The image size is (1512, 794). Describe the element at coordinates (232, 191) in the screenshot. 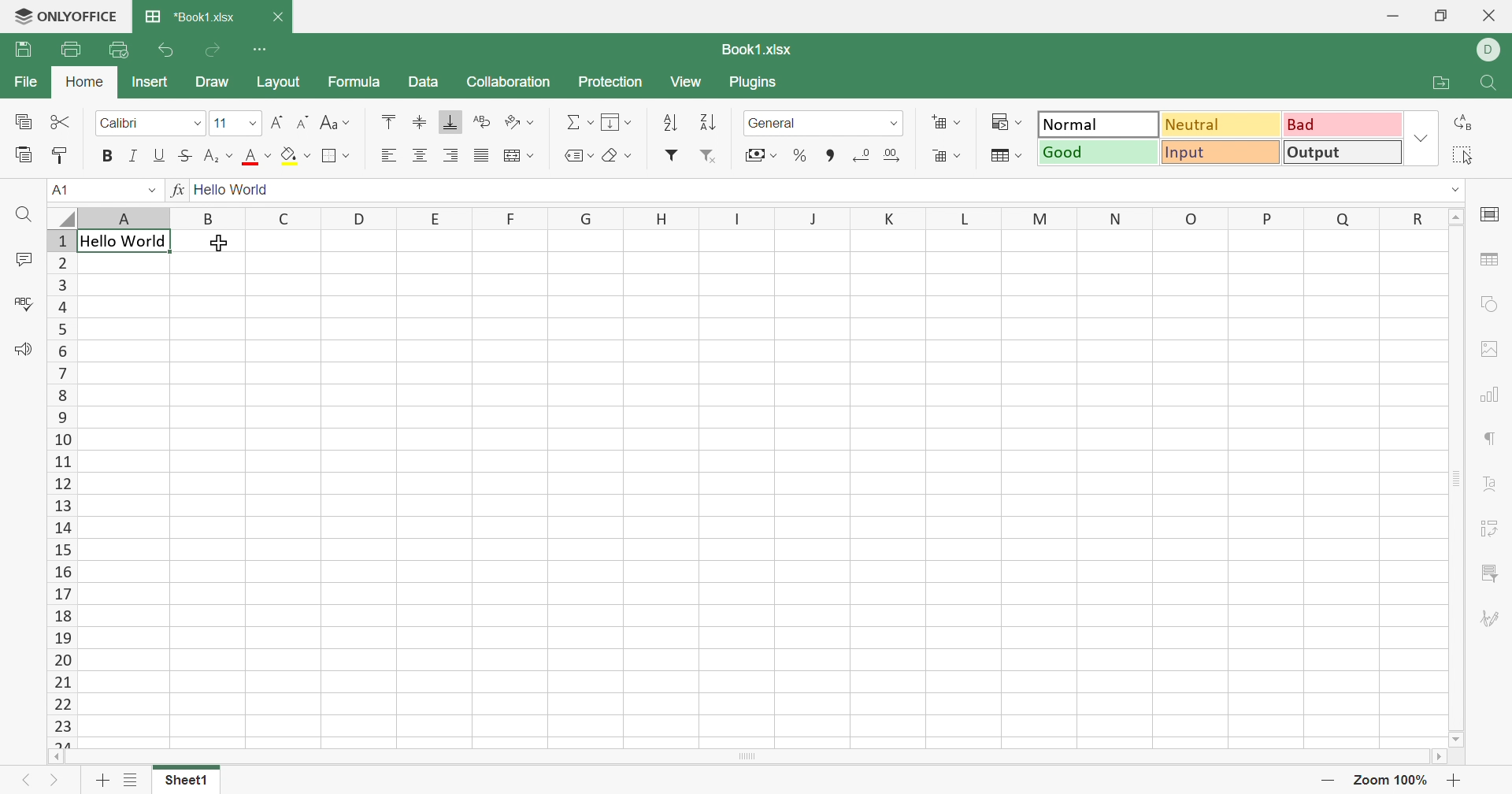

I see `Hello world` at that location.